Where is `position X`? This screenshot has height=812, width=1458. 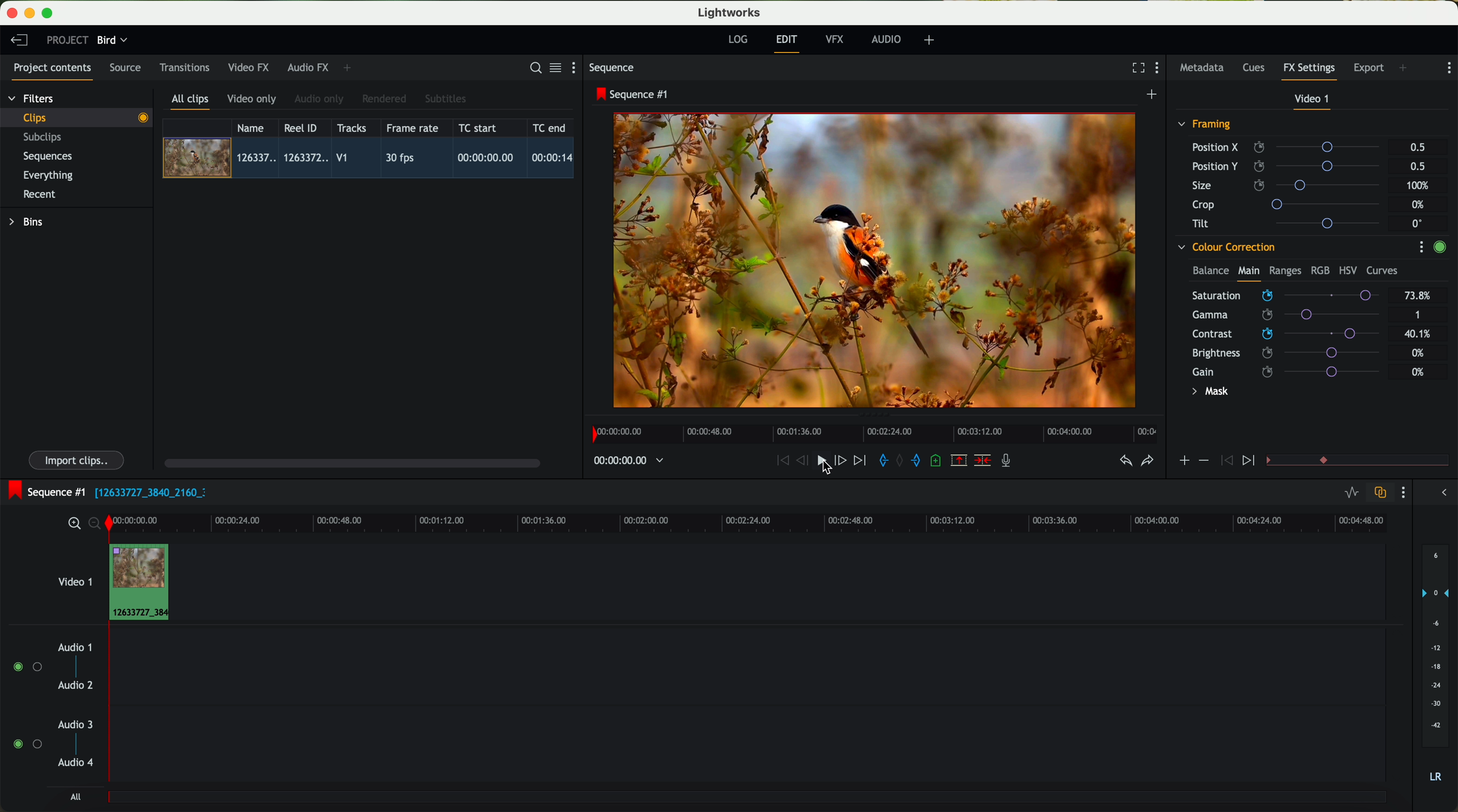 position X is located at coordinates (1290, 147).